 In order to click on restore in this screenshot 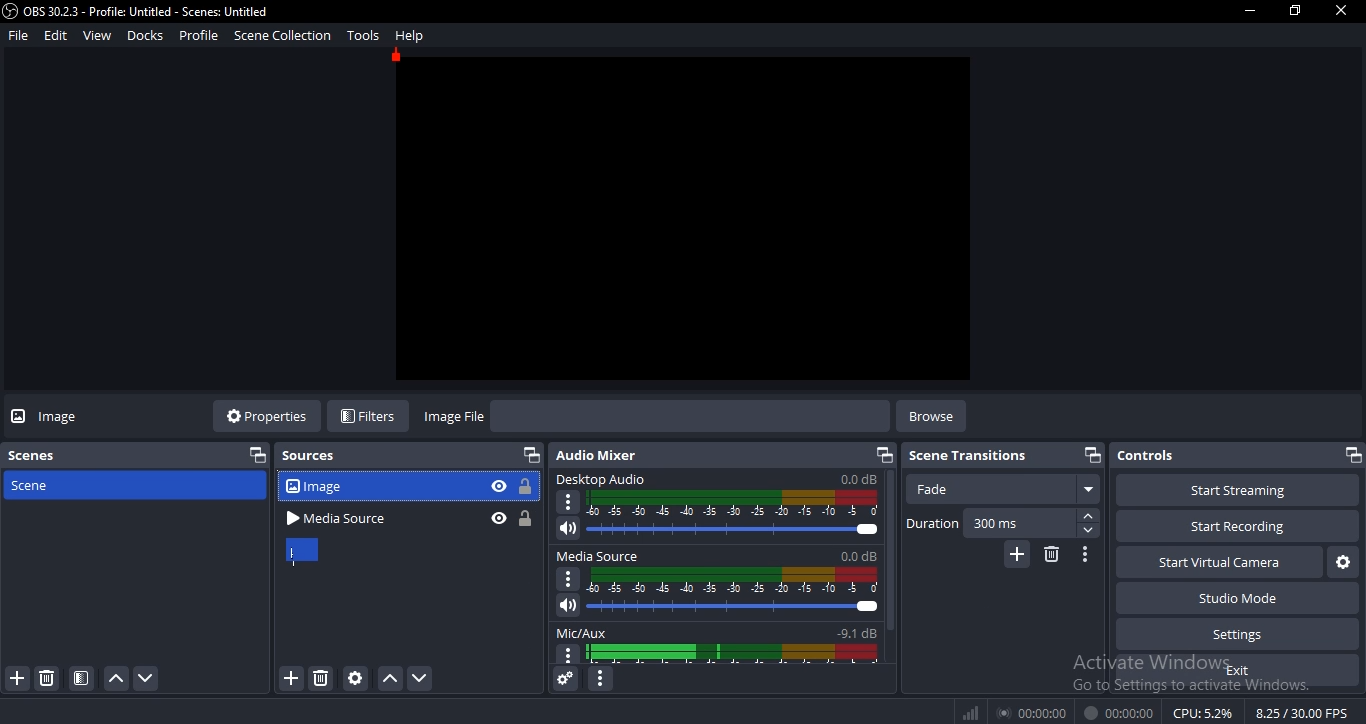, I will do `click(1355, 454)`.